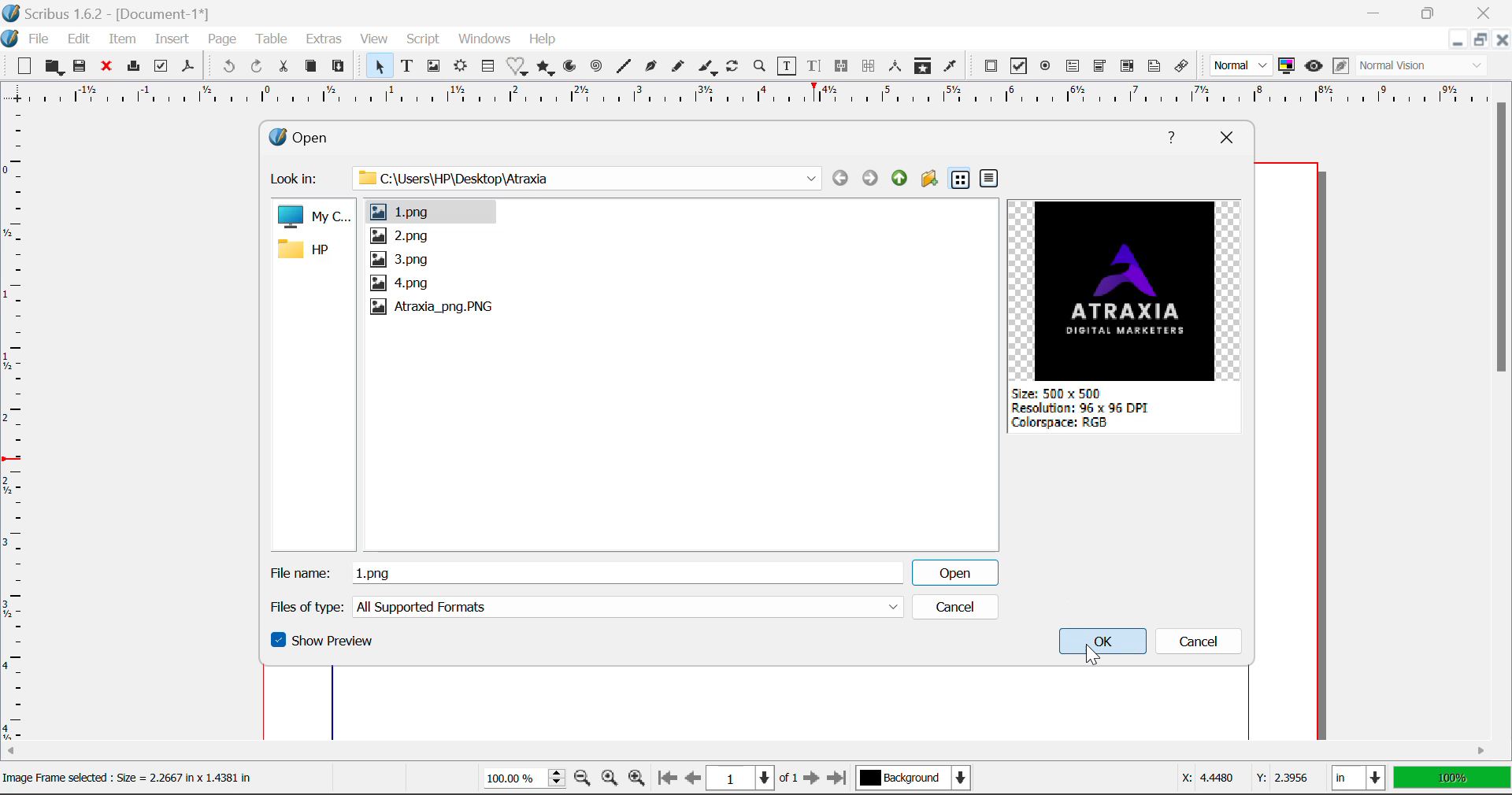 The image size is (1512, 795). I want to click on 100%, so click(1451, 779).